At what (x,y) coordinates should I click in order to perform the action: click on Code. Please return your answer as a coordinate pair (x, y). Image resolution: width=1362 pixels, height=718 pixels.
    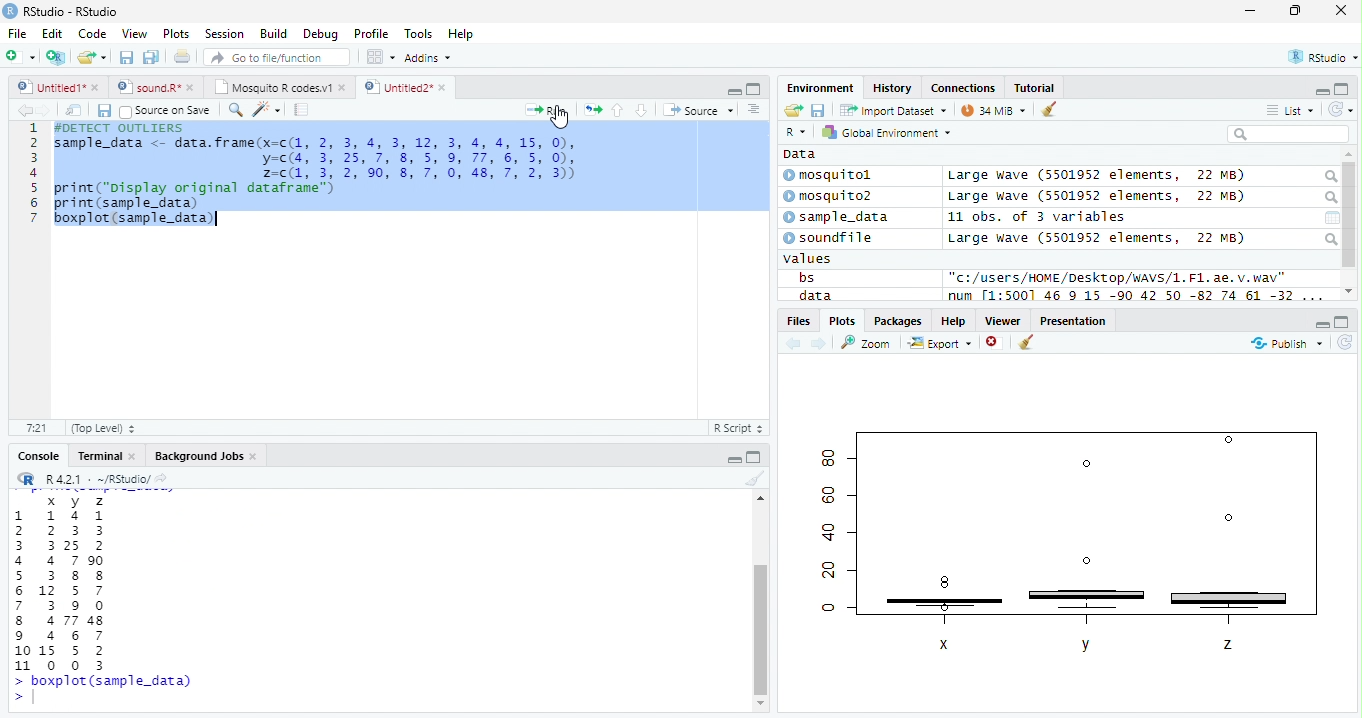
    Looking at the image, I should click on (92, 34).